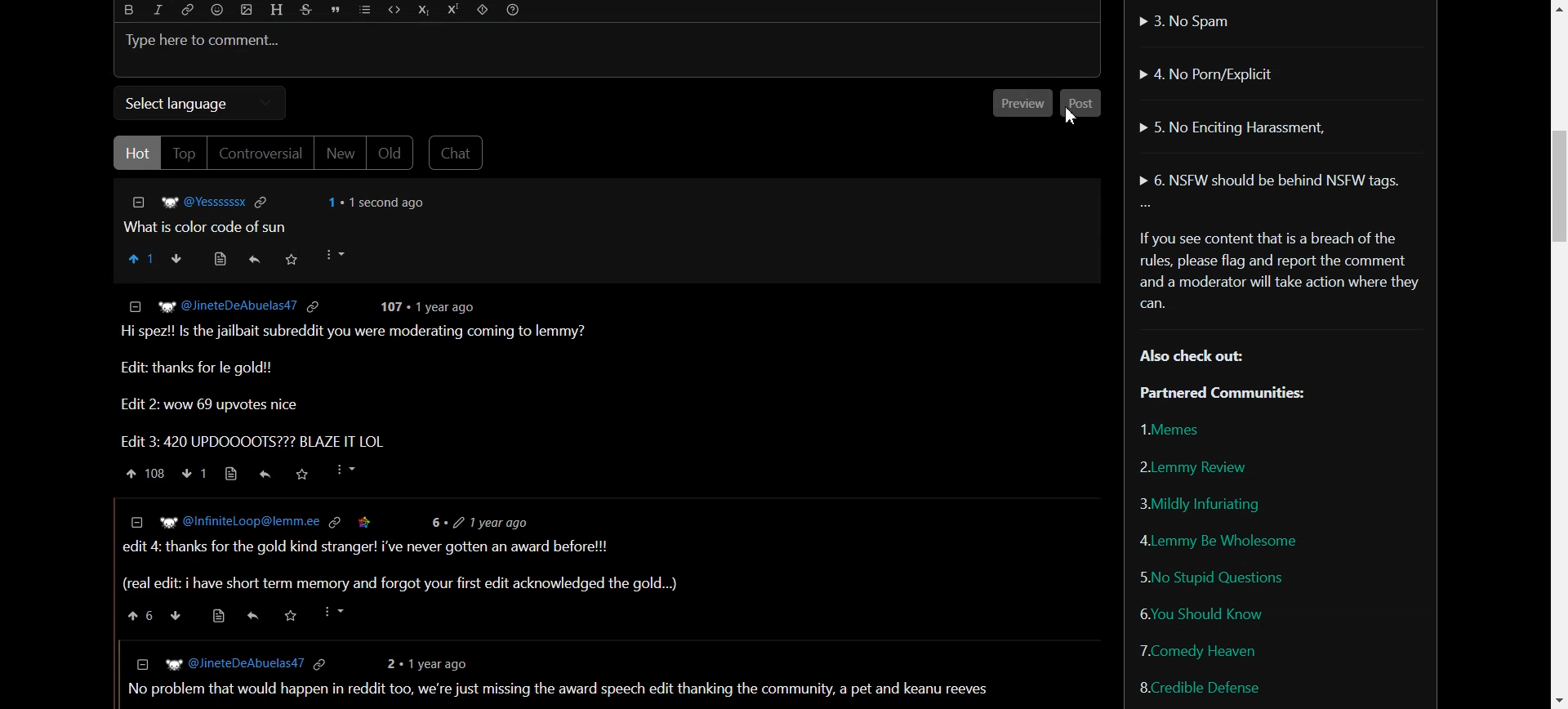  I want to click on Upload Image, so click(246, 10).